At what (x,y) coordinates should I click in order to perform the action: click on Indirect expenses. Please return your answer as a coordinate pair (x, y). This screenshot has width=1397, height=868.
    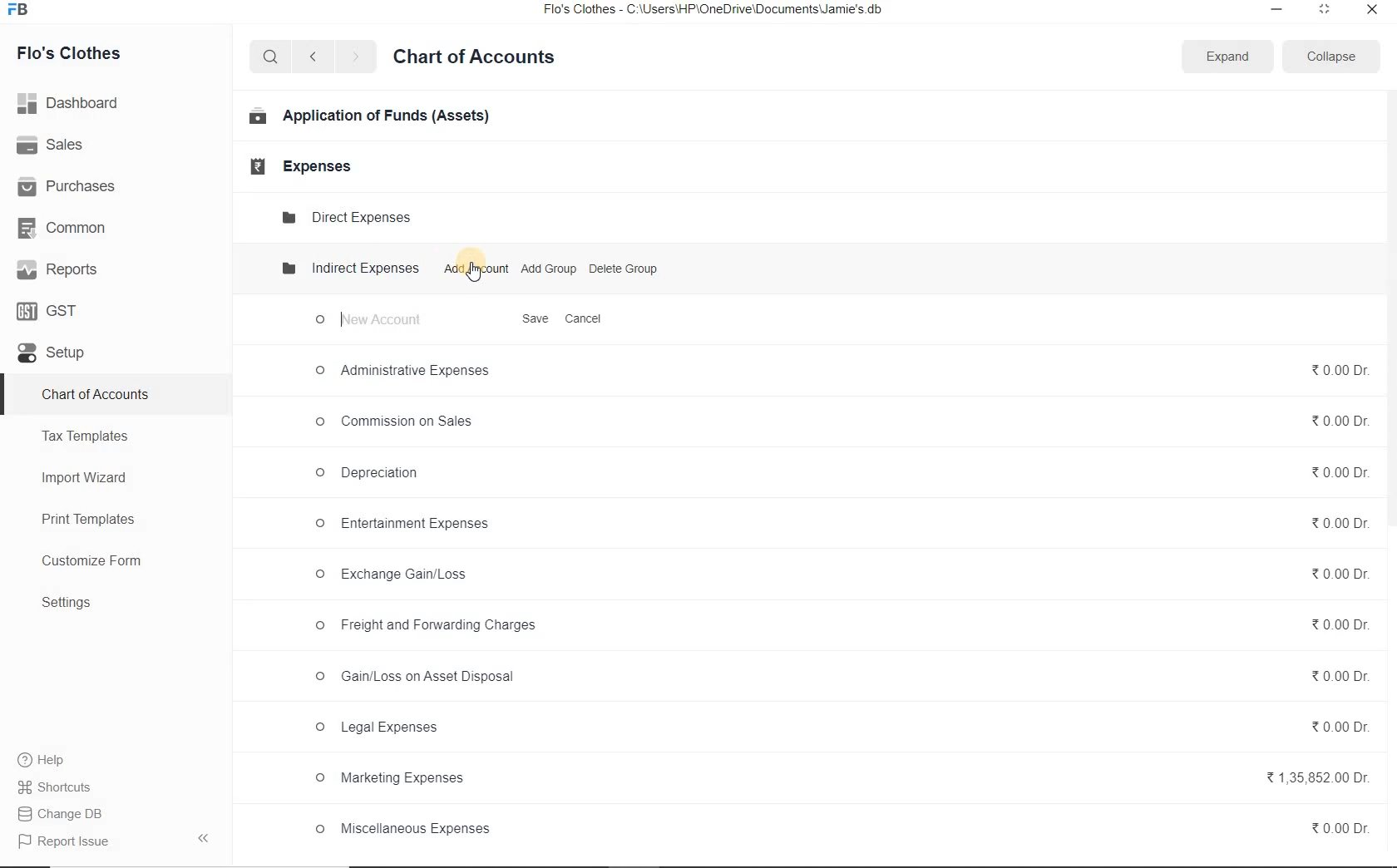
    Looking at the image, I should click on (348, 270).